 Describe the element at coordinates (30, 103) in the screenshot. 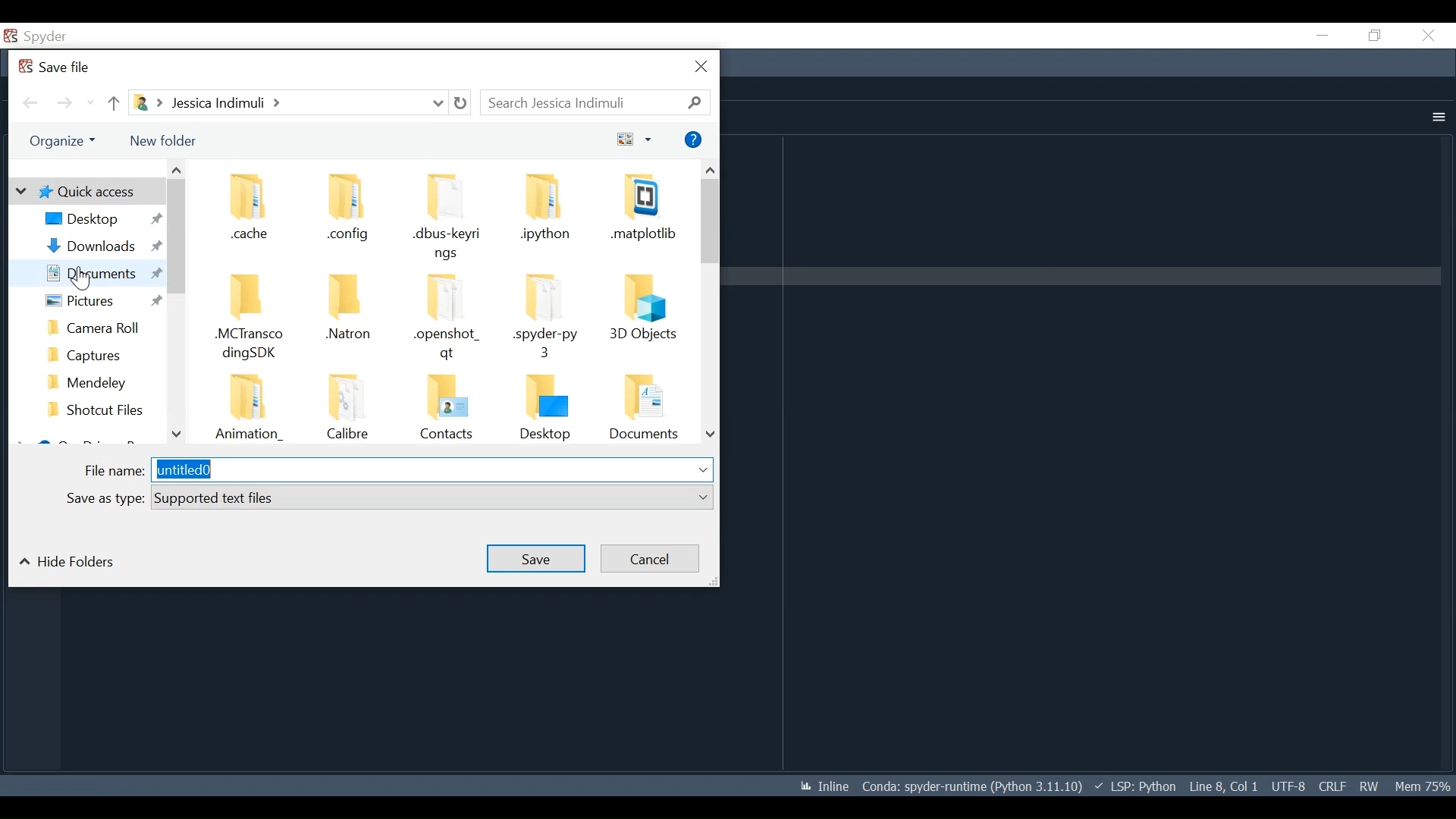

I see `Navigate back` at that location.